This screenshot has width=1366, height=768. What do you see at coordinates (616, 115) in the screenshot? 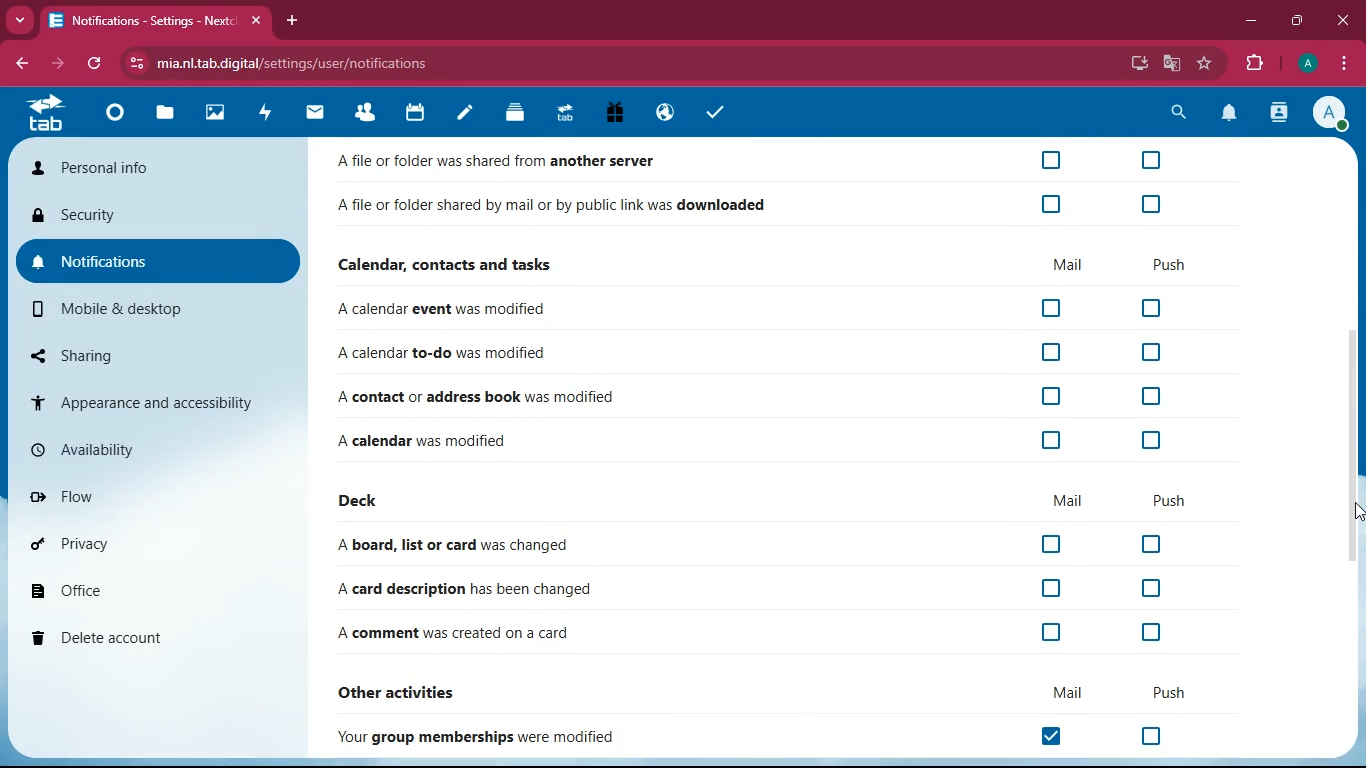
I see `gift` at bounding box center [616, 115].